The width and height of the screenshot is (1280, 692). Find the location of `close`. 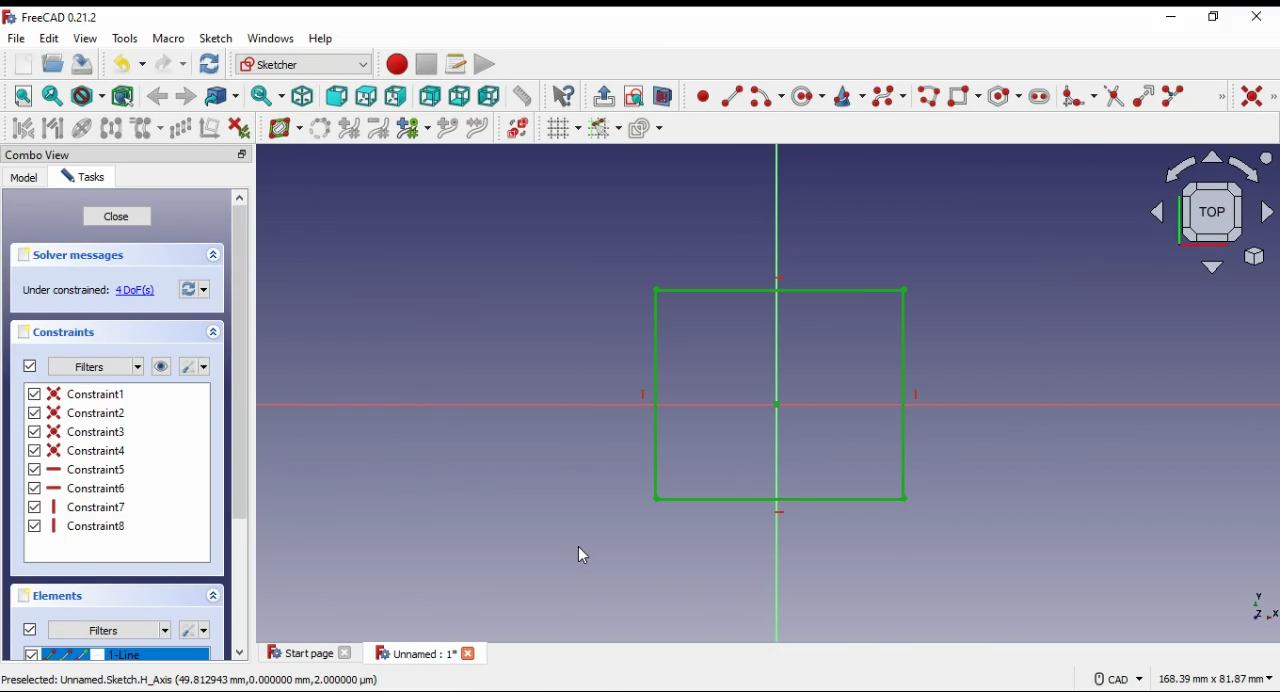

close is located at coordinates (117, 217).